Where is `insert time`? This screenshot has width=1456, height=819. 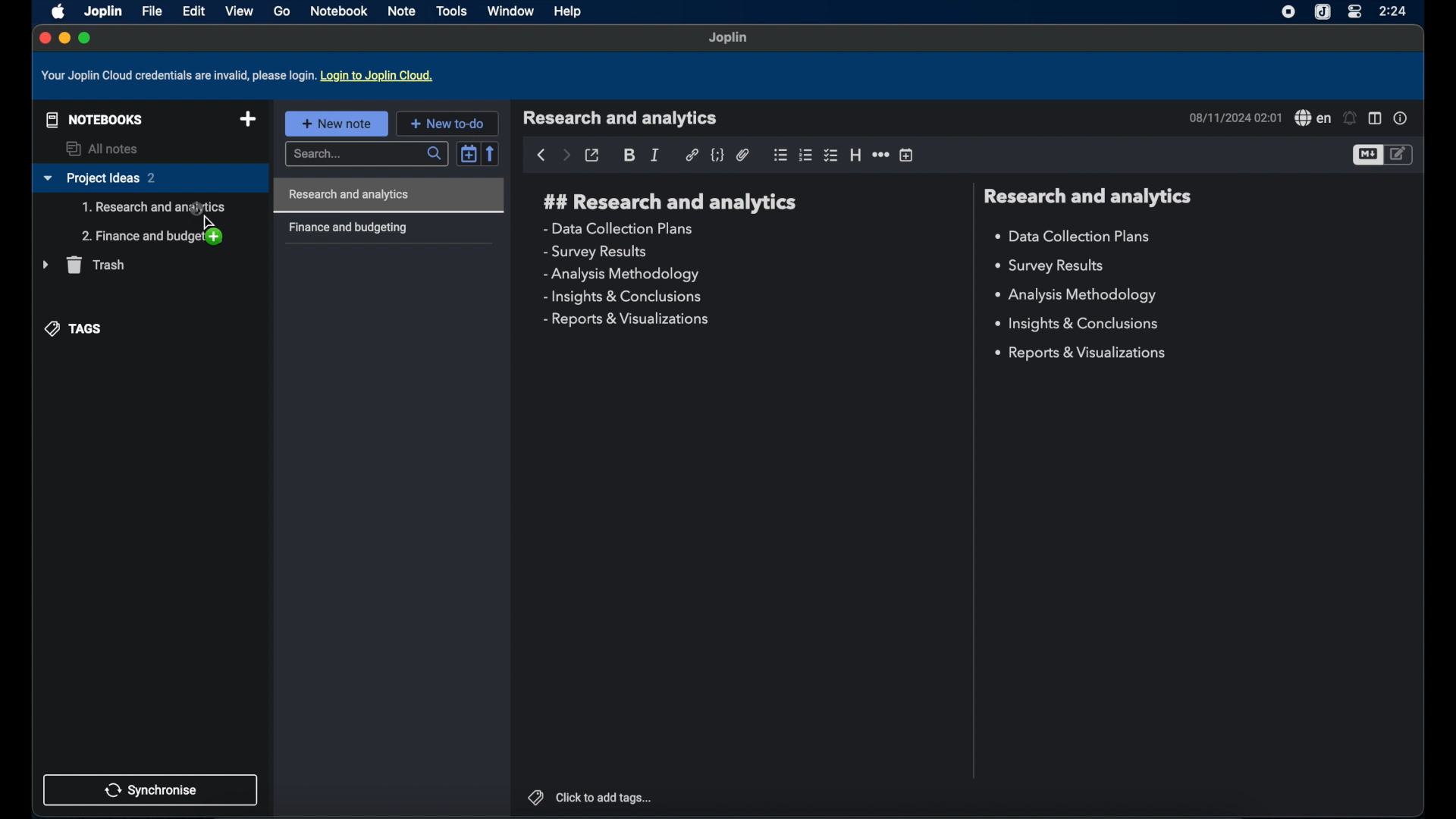
insert time is located at coordinates (908, 155).